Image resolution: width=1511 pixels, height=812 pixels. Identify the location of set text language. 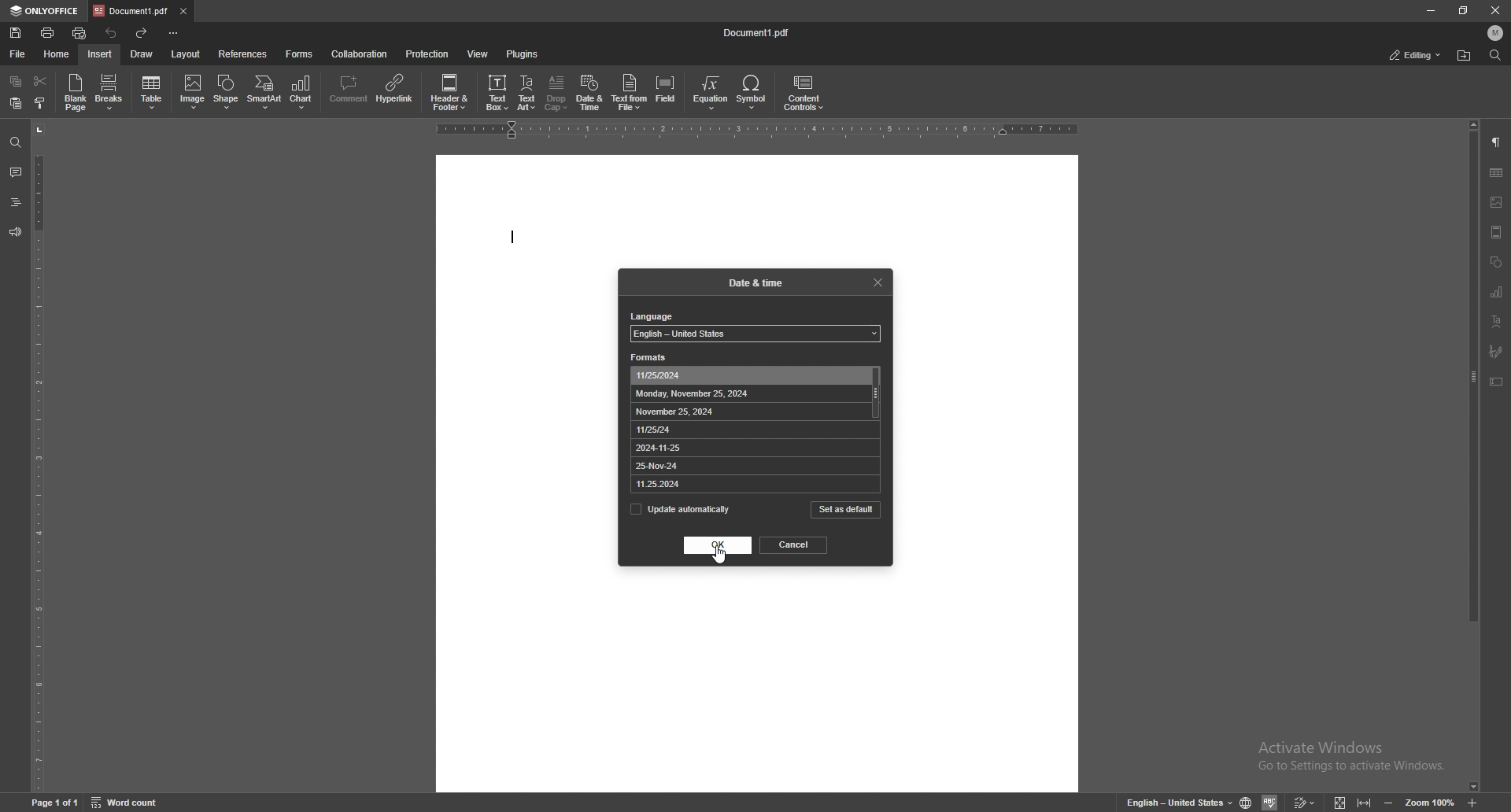
(1177, 802).